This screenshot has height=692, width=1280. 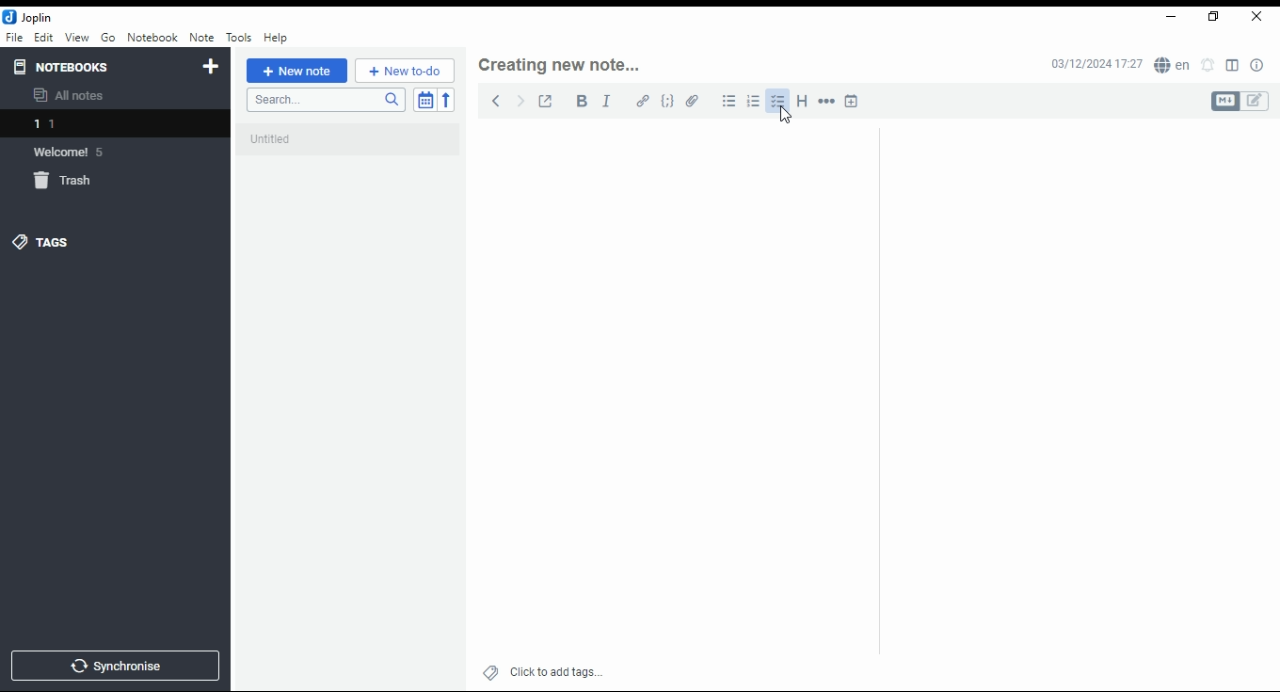 What do you see at coordinates (78, 38) in the screenshot?
I see `view` at bounding box center [78, 38].